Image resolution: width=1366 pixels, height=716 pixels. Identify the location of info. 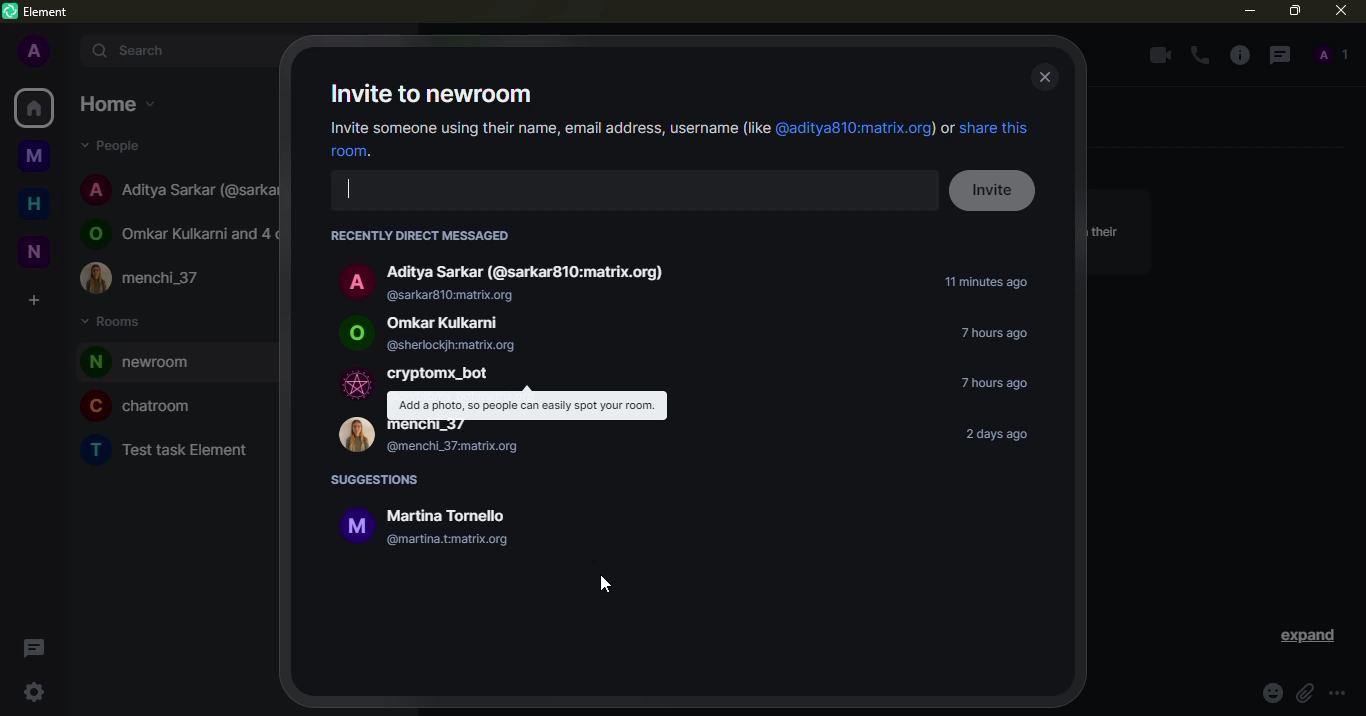
(1239, 56).